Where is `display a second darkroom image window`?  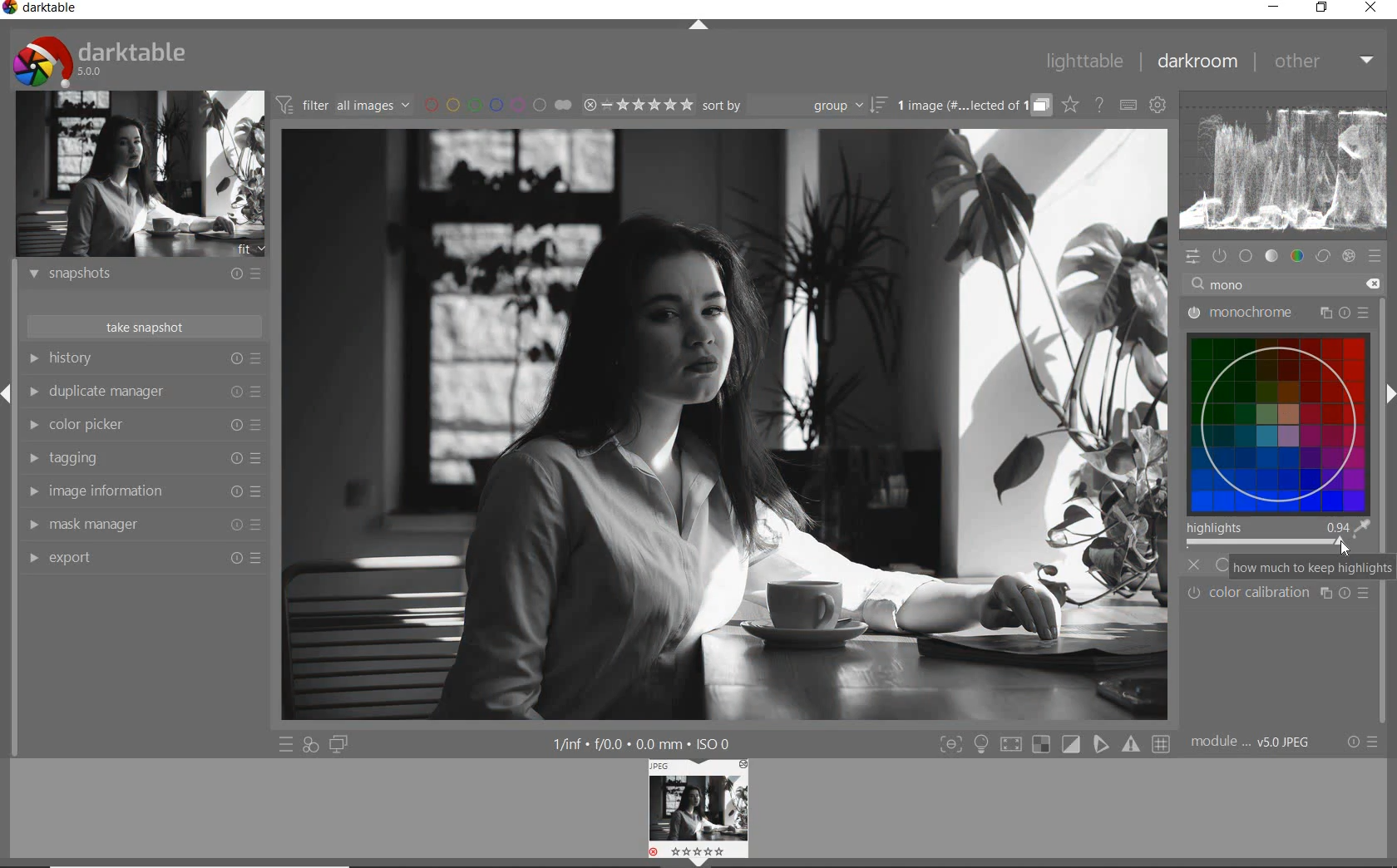
display a second darkroom image window is located at coordinates (338, 742).